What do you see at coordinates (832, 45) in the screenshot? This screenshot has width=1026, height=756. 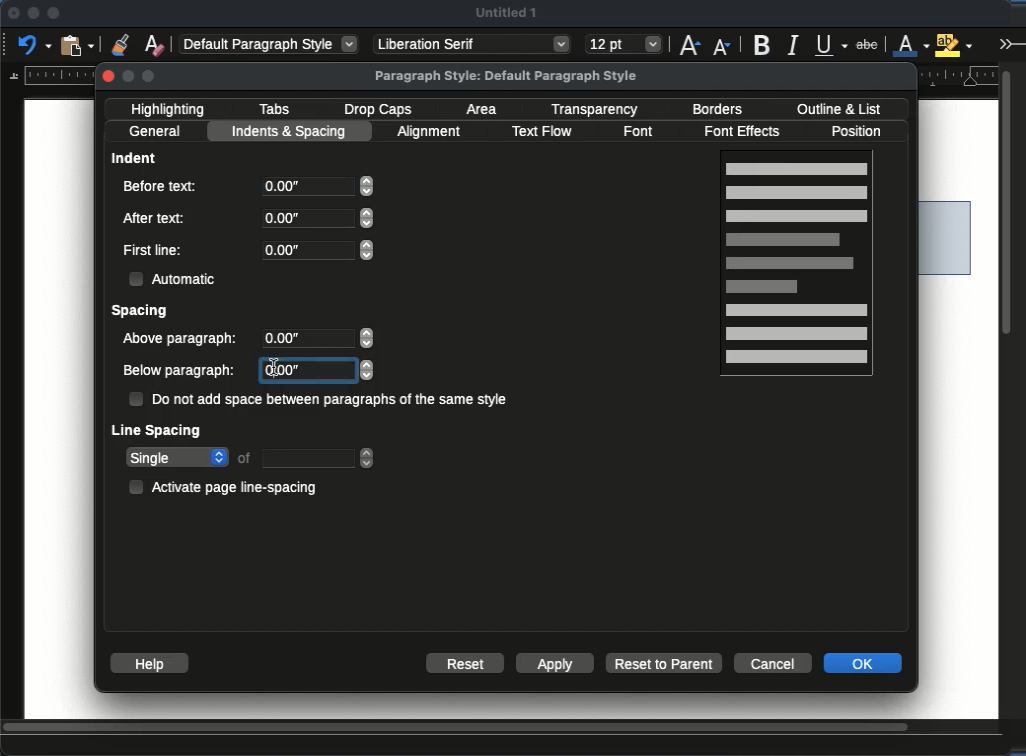 I see `underline ` at bounding box center [832, 45].